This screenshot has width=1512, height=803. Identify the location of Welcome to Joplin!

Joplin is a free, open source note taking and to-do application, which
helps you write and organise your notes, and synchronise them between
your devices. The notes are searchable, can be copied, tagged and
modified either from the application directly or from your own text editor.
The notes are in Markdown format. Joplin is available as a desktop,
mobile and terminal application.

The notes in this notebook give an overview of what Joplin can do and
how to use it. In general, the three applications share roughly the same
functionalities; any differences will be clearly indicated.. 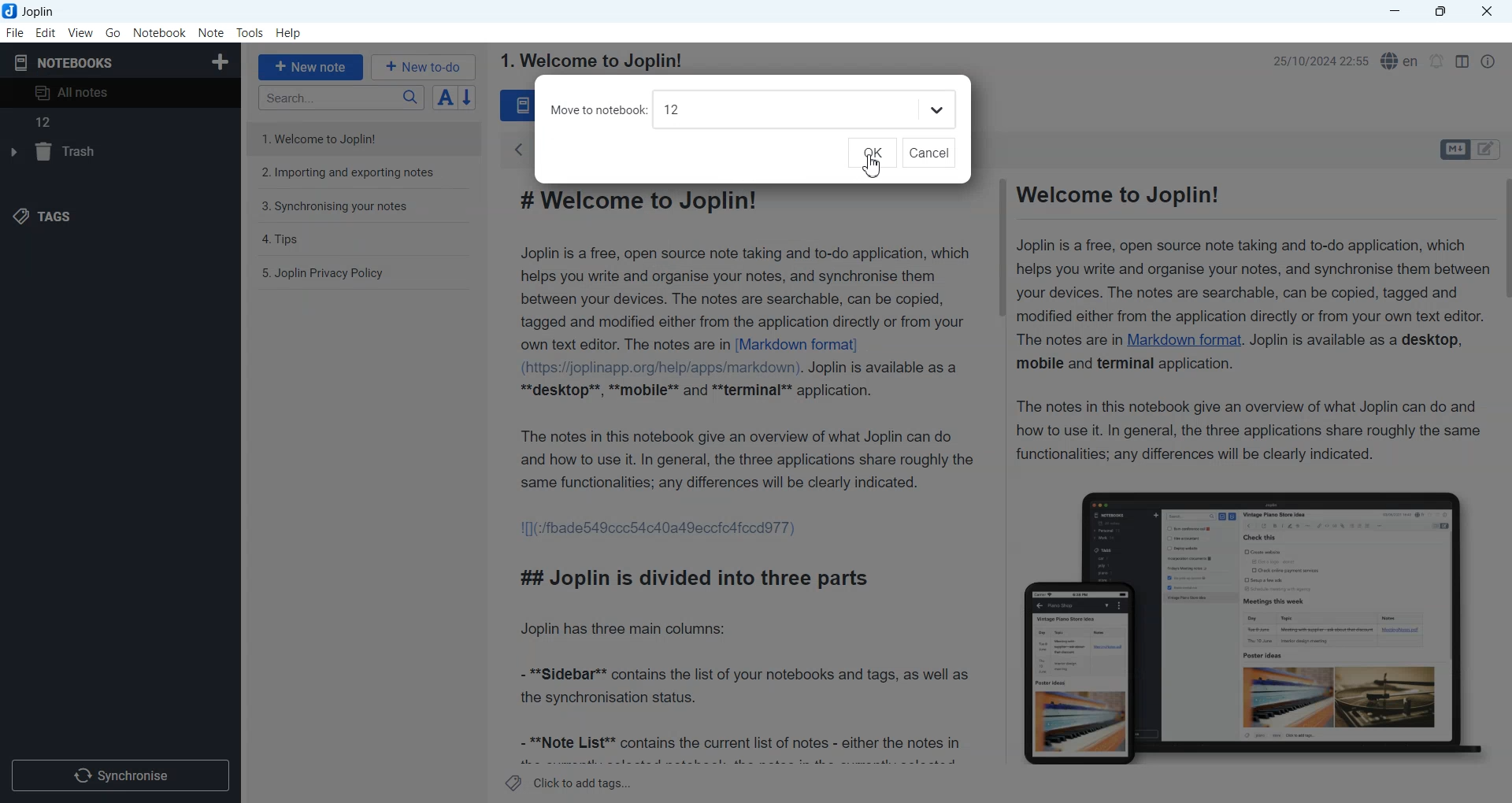
(1247, 322).